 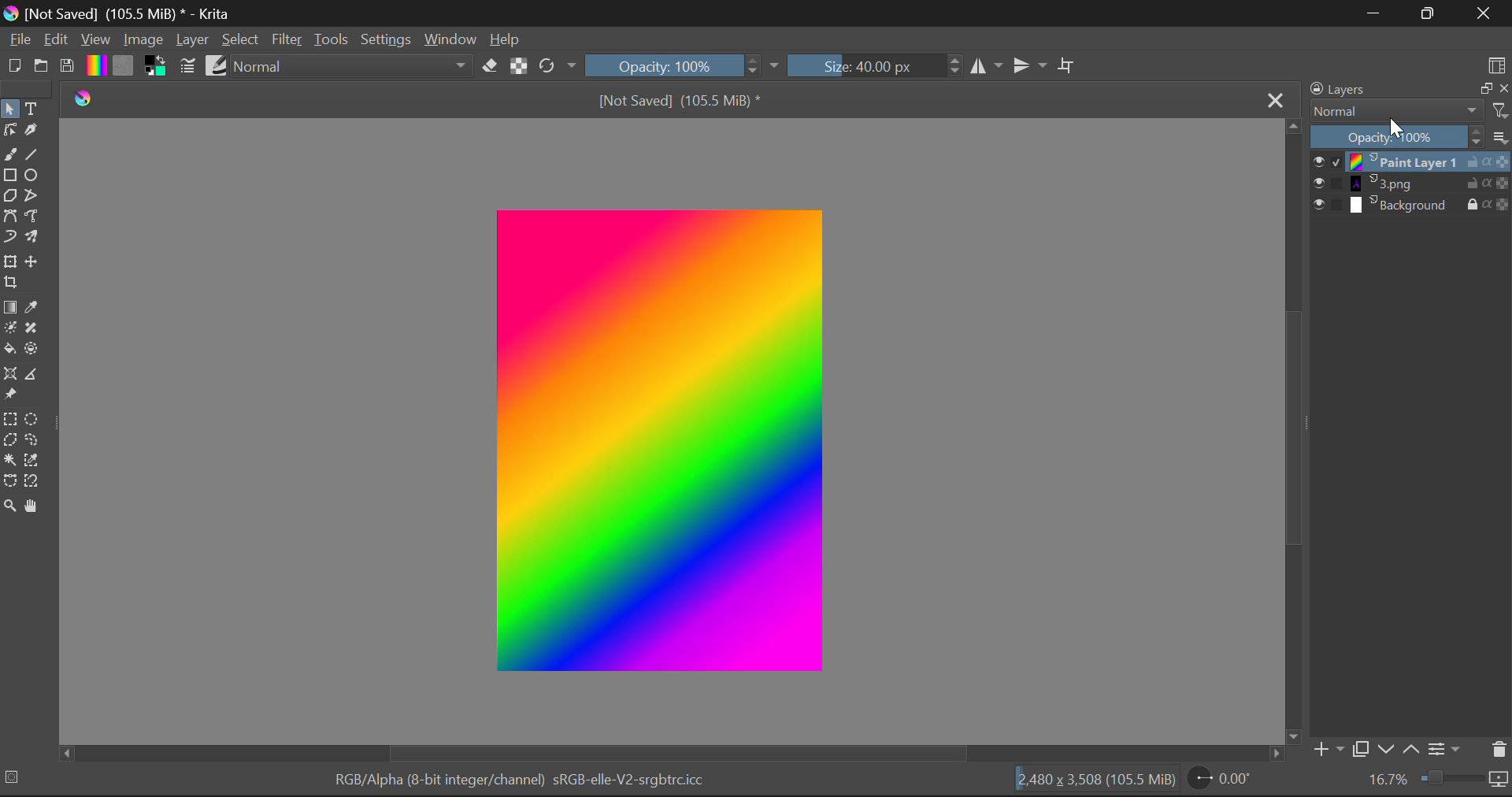 I want to click on Dynamic Brush Tool, so click(x=9, y=236).